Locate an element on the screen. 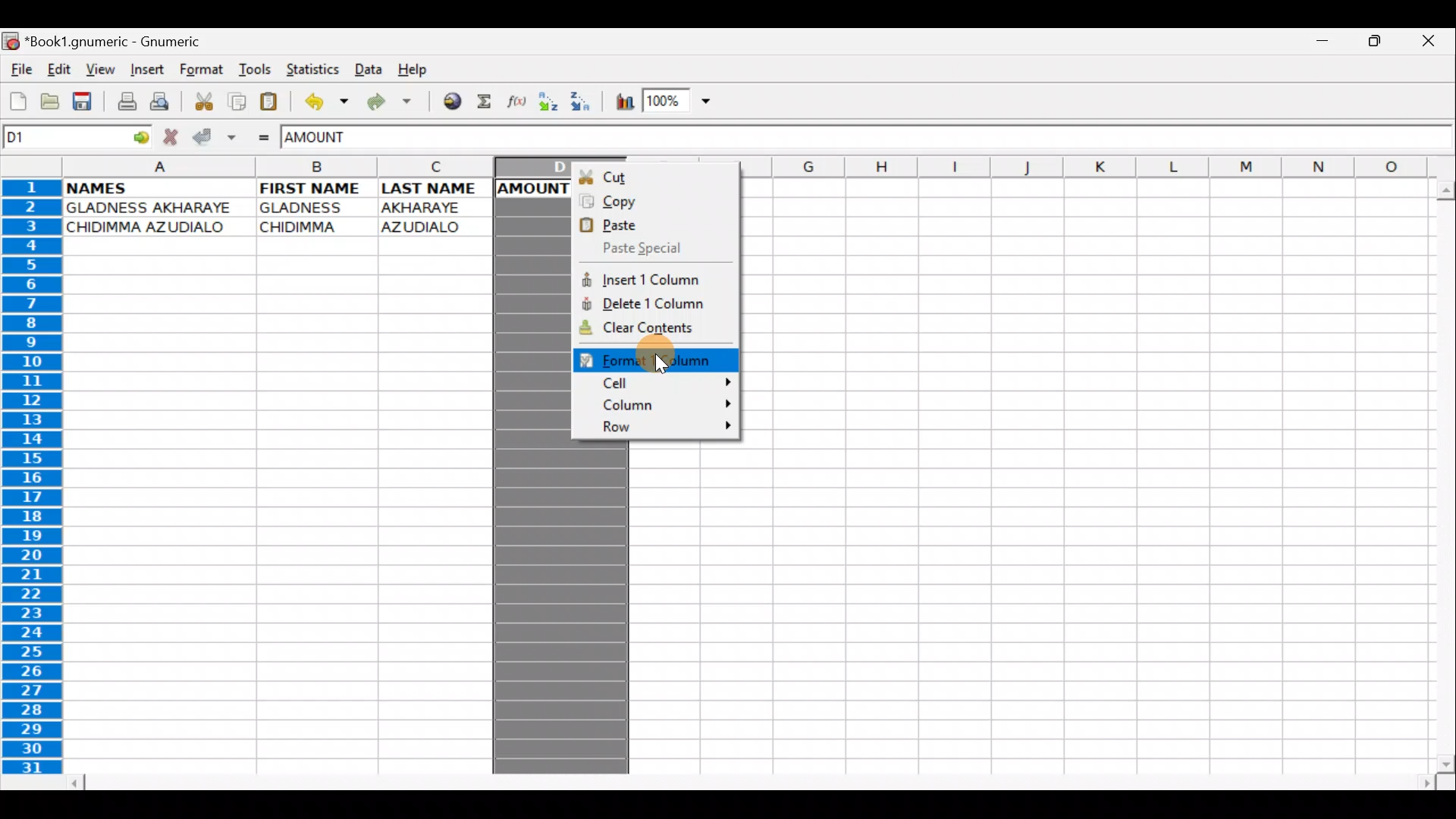 The image size is (1456, 819). LAST NAME is located at coordinates (436, 190).